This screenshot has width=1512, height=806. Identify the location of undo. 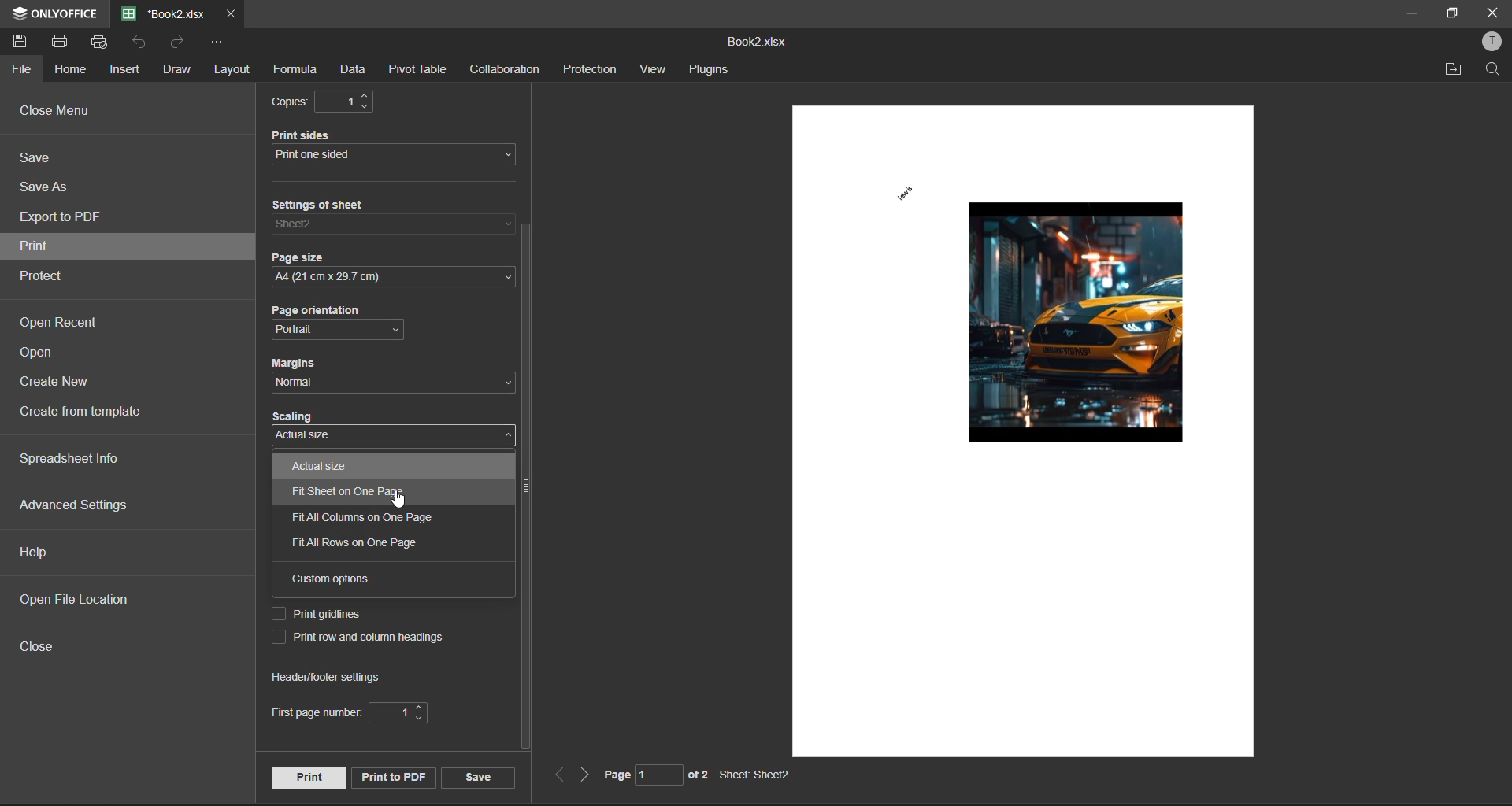
(142, 43).